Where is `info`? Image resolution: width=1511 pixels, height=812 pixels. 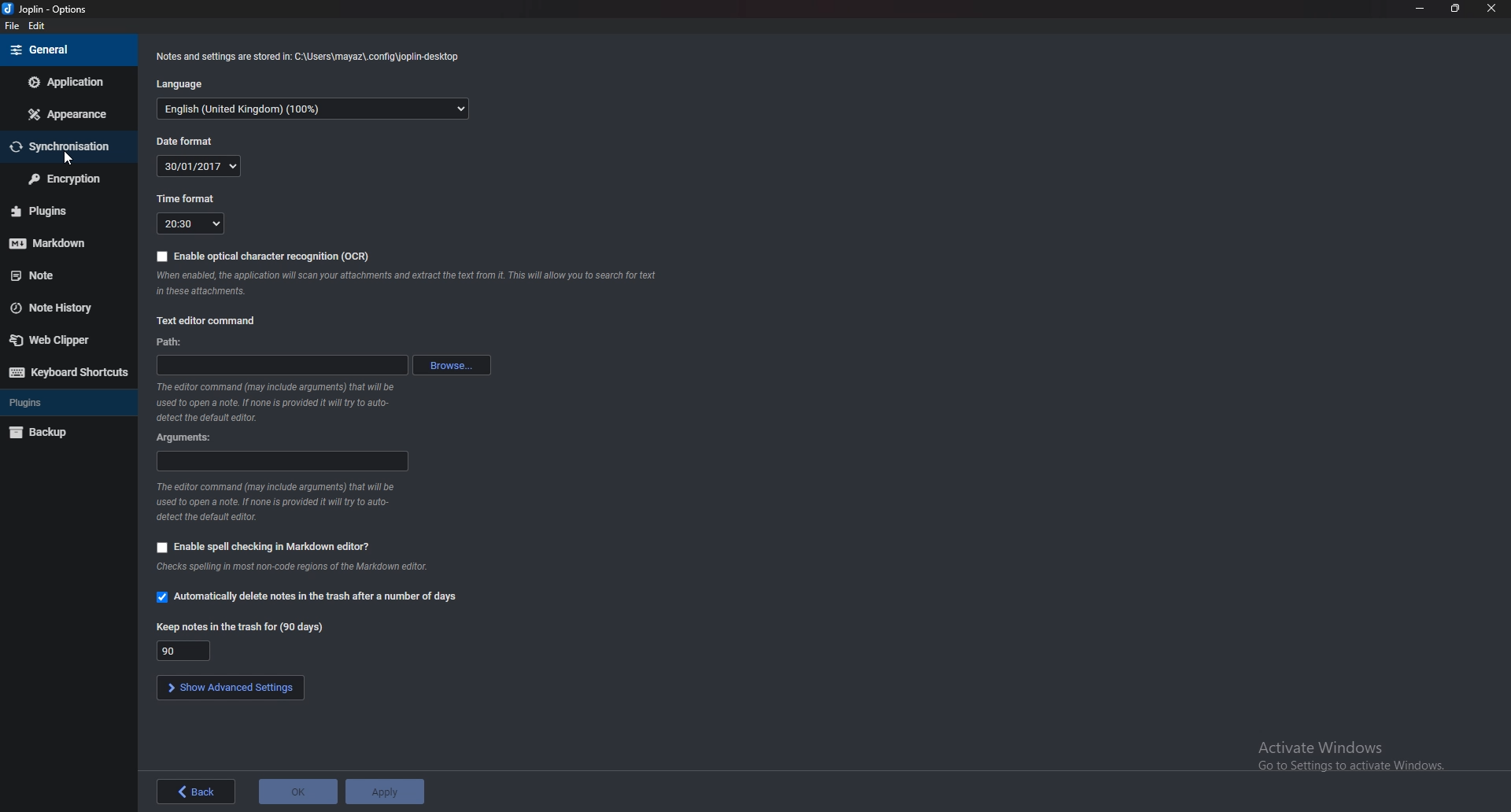 info is located at coordinates (410, 282).